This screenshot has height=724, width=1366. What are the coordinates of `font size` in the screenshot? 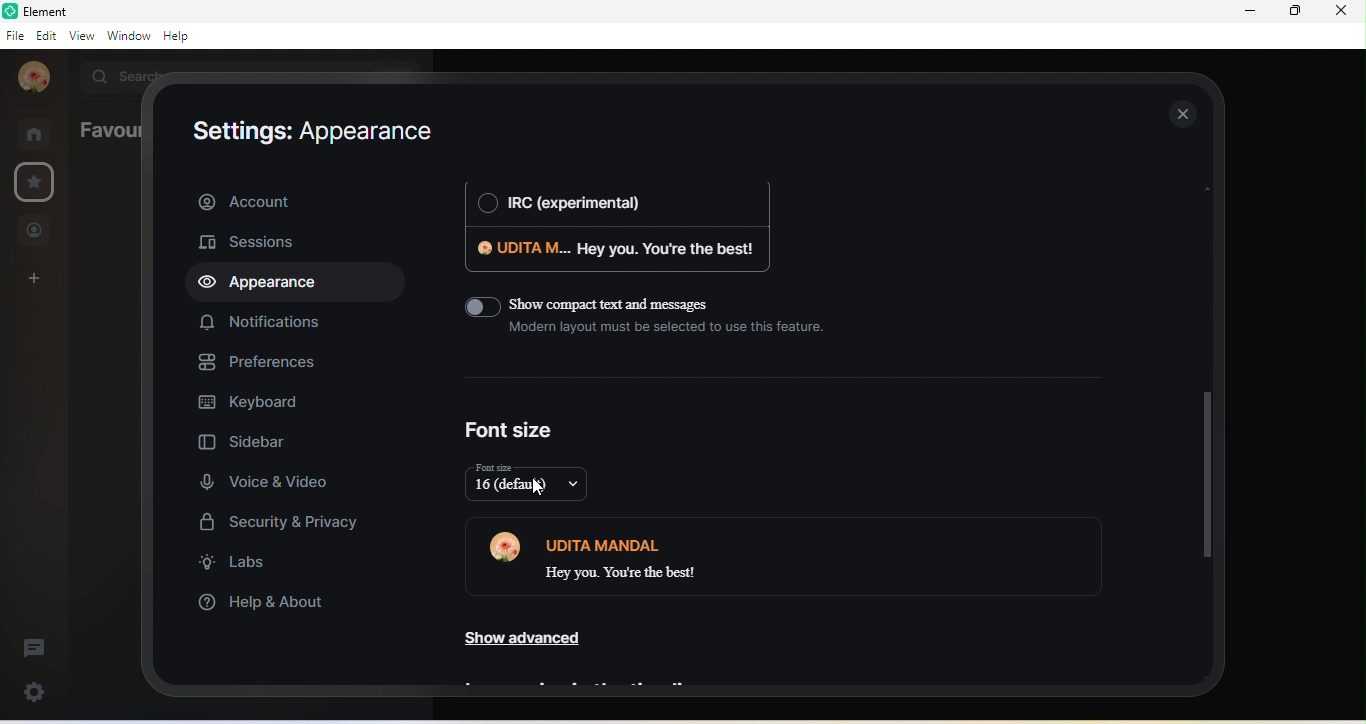 It's located at (511, 431).